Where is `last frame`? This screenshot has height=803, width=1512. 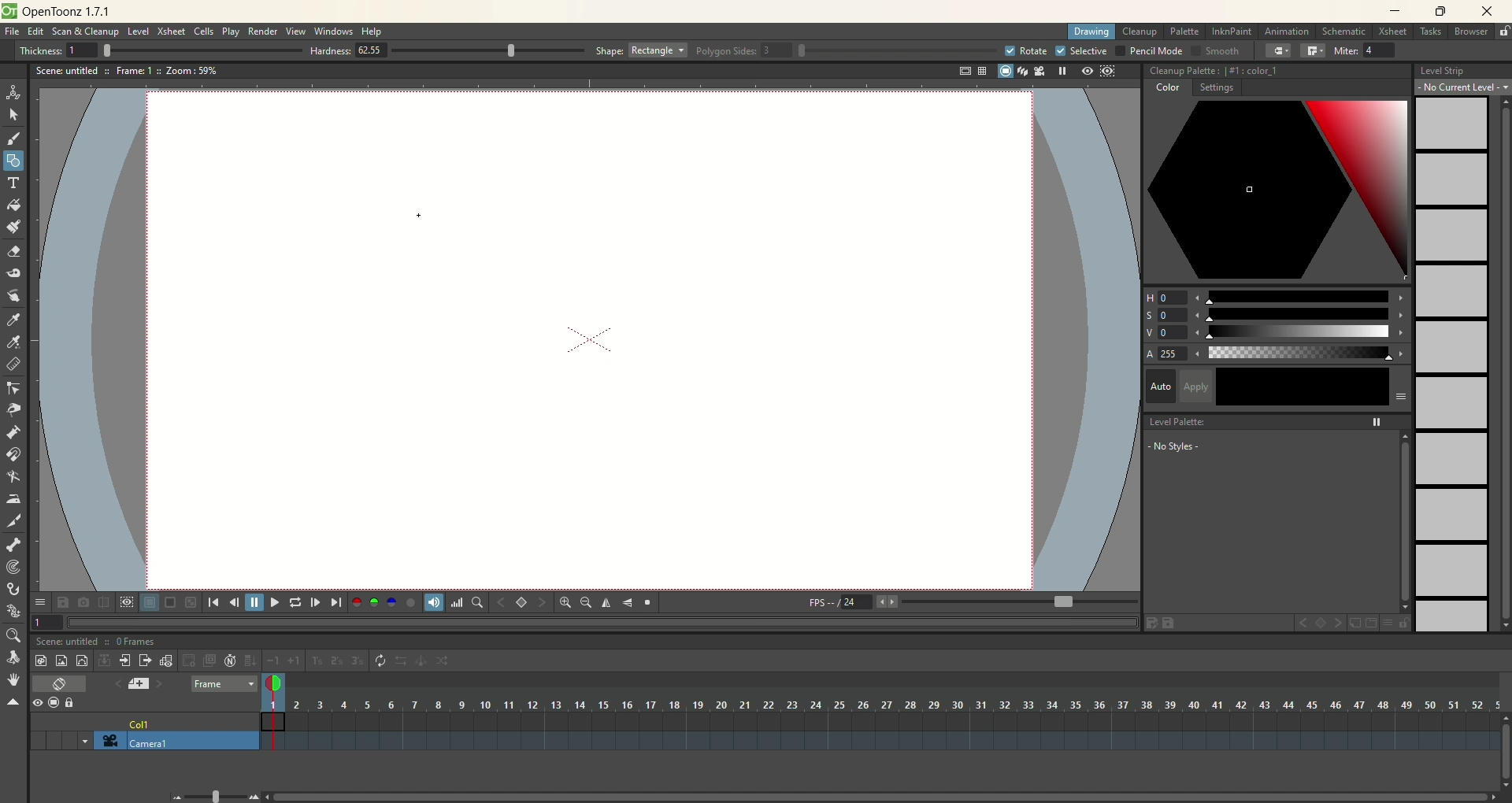 last frame is located at coordinates (338, 602).